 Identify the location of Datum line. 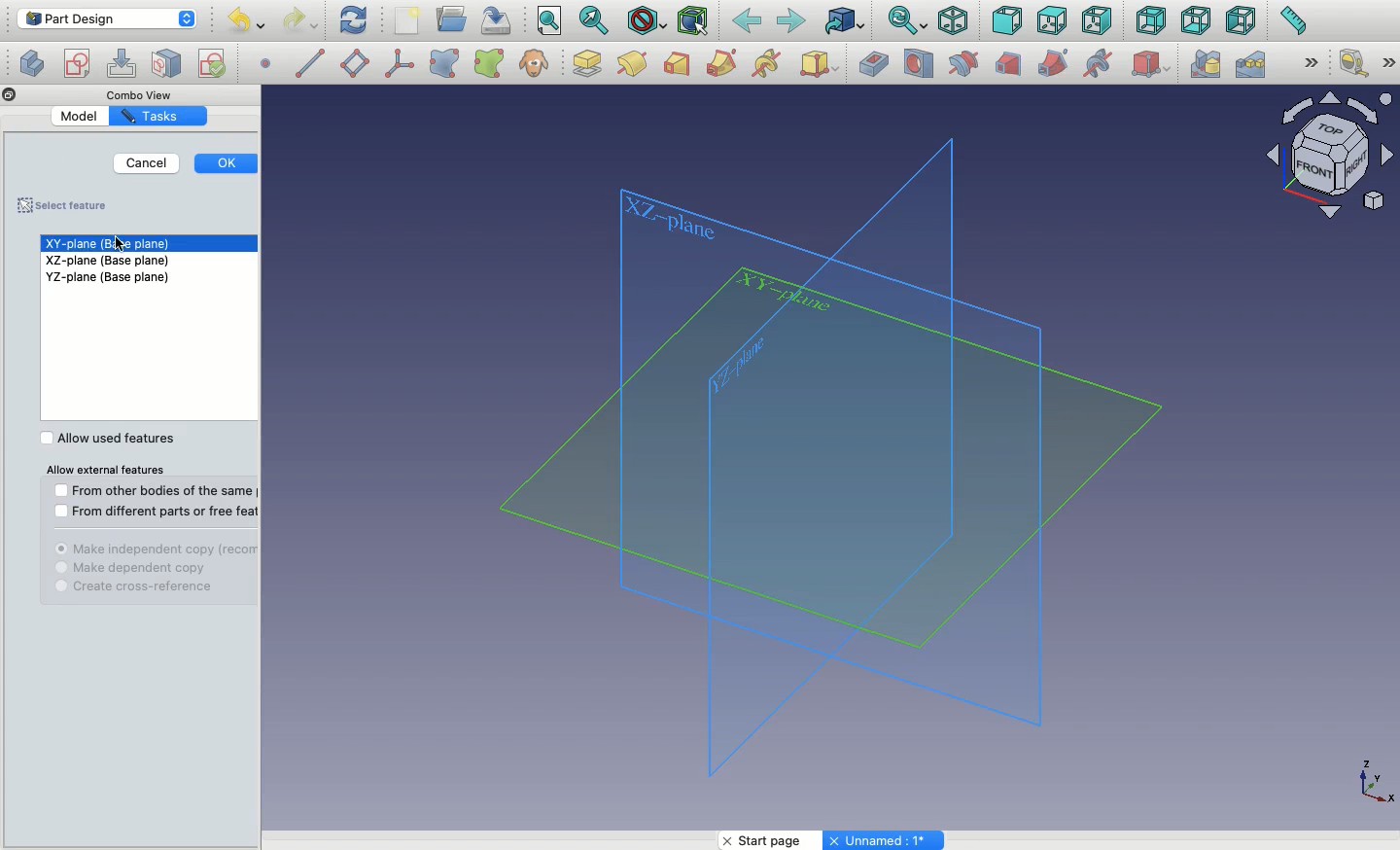
(311, 62).